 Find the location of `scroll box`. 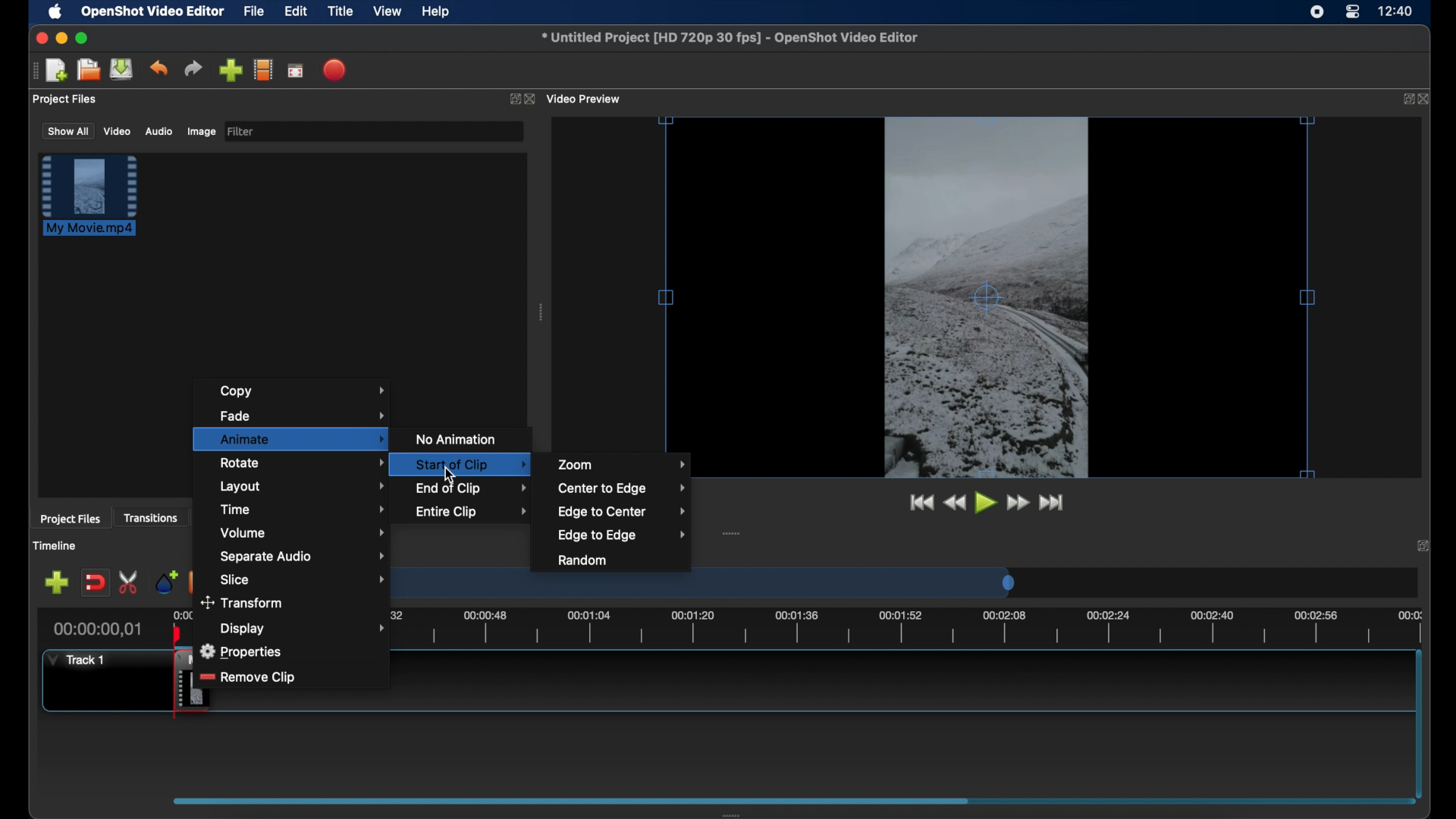

scroll box is located at coordinates (571, 800).